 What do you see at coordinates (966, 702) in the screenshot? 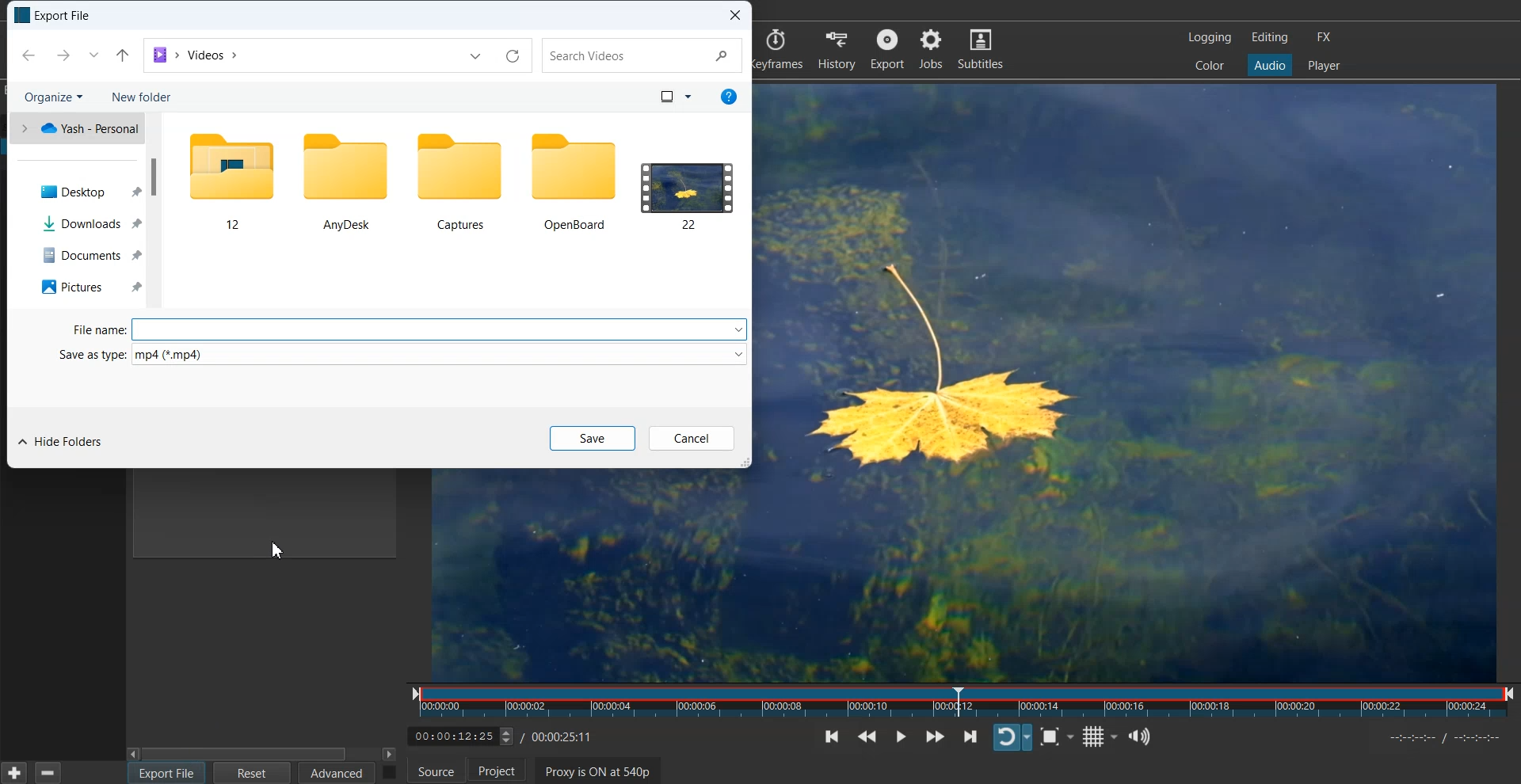
I see `Slider` at bounding box center [966, 702].